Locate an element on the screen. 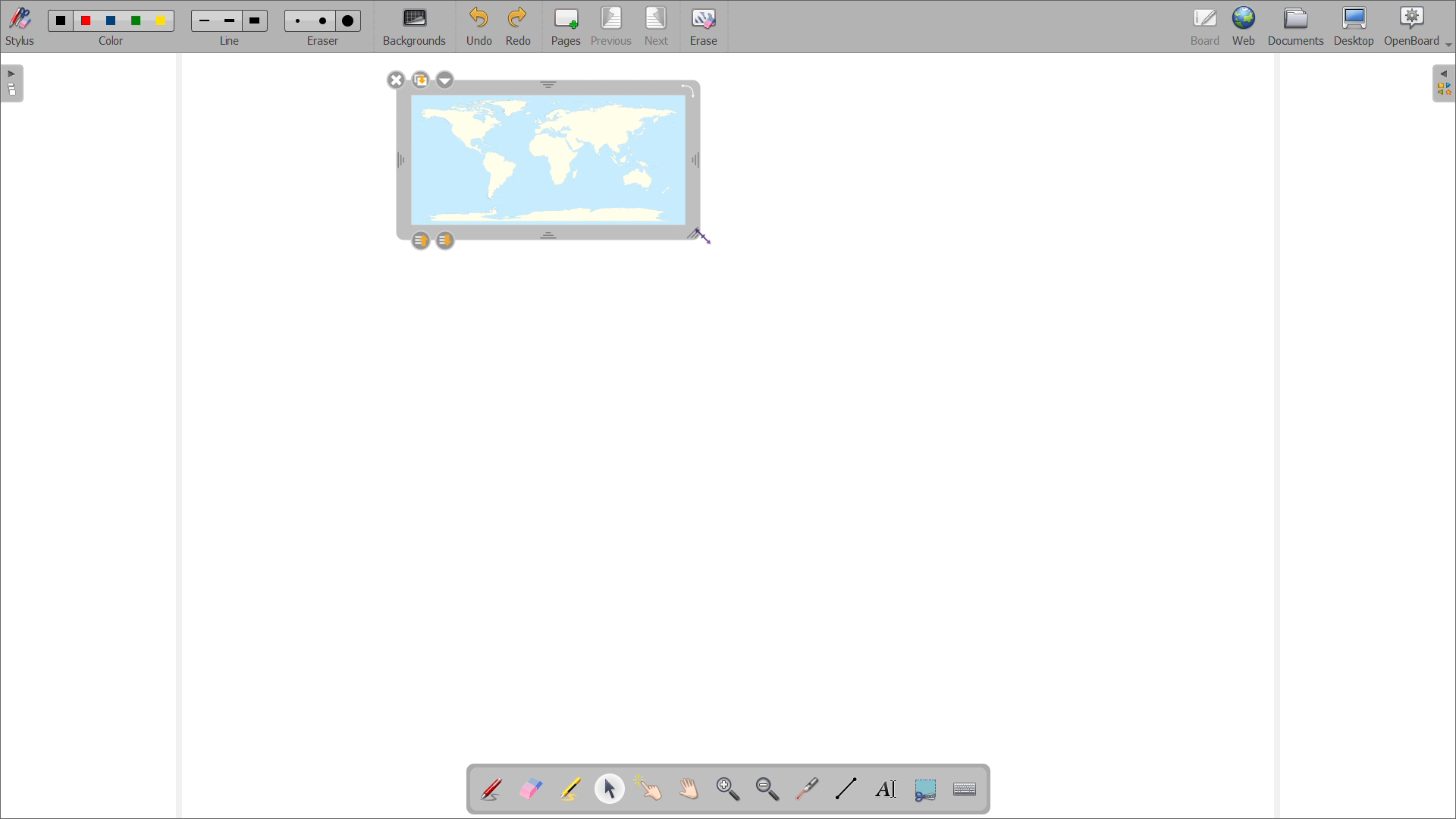 The height and width of the screenshot is (819, 1456). red is located at coordinates (86, 20).